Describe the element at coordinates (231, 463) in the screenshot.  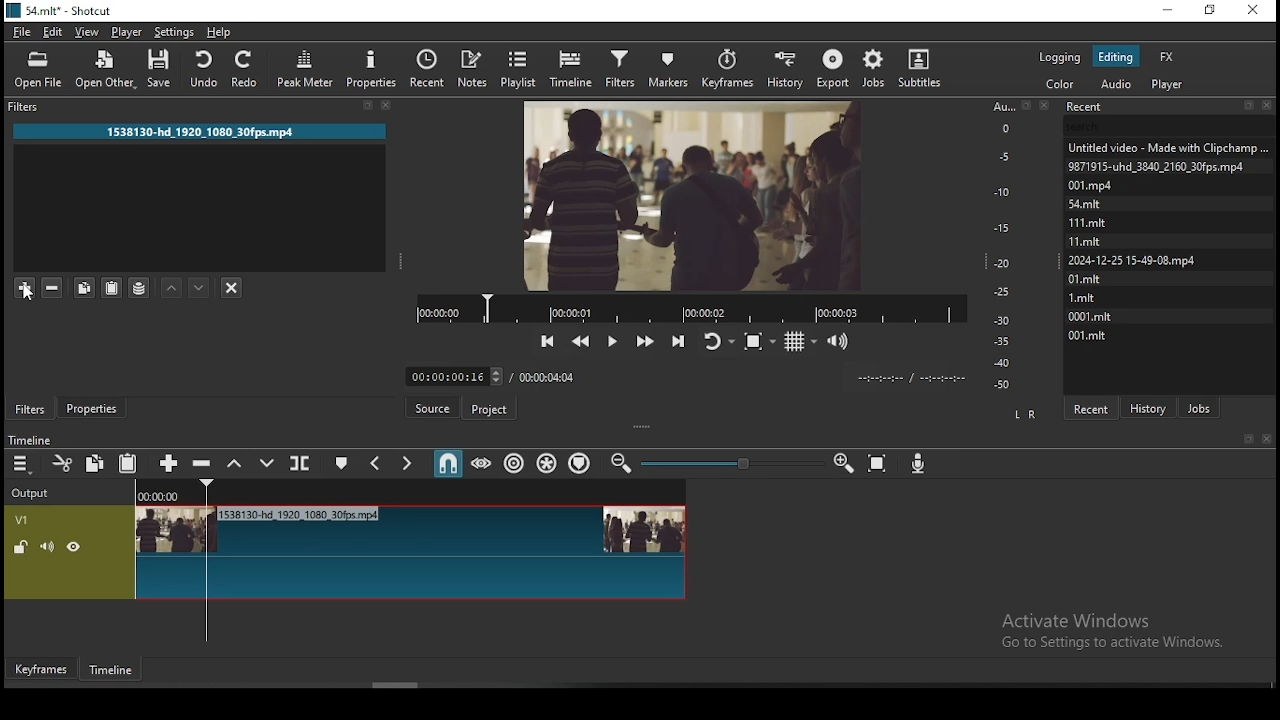
I see `lift` at that location.